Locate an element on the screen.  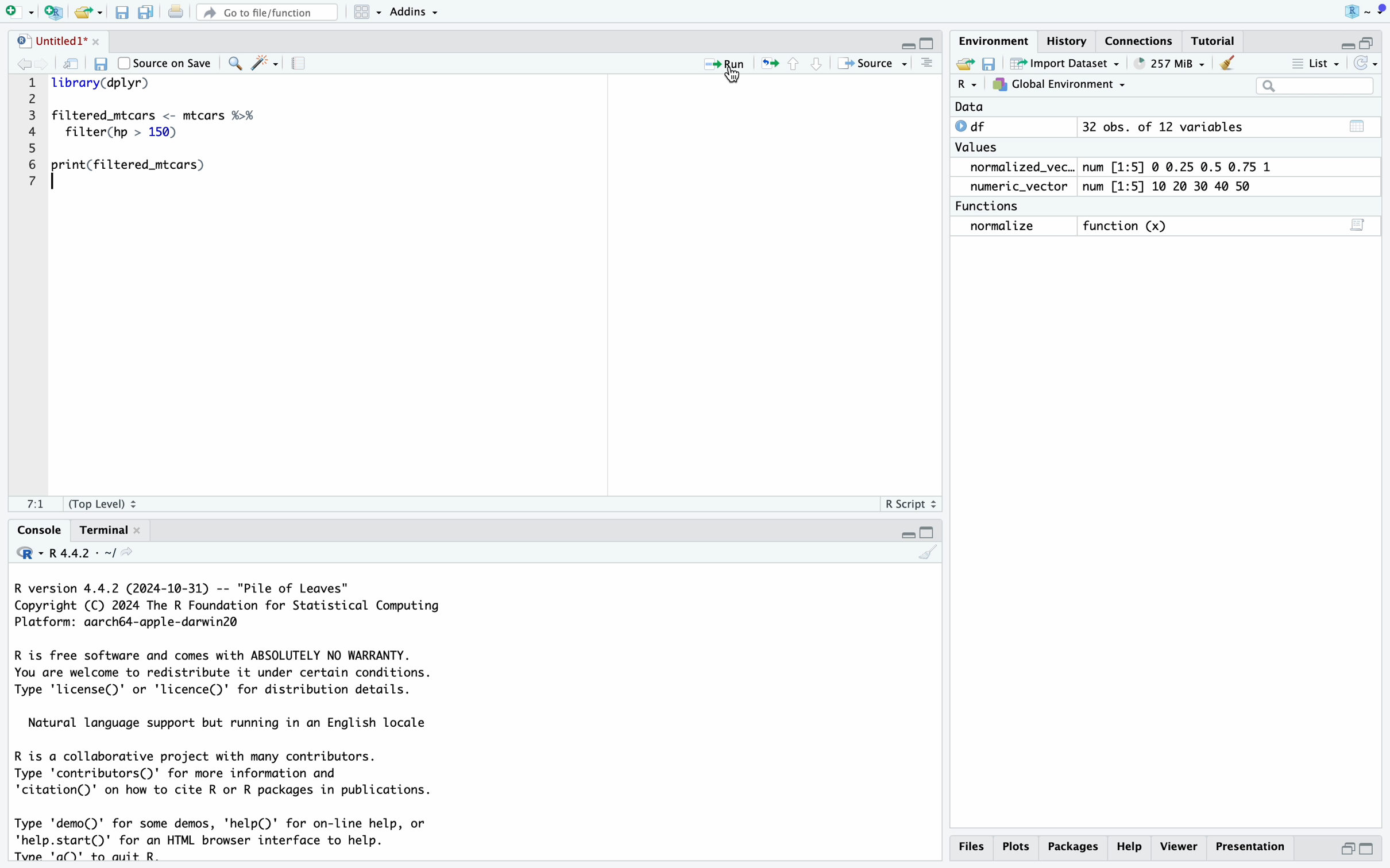
refresh is located at coordinates (1365, 64).